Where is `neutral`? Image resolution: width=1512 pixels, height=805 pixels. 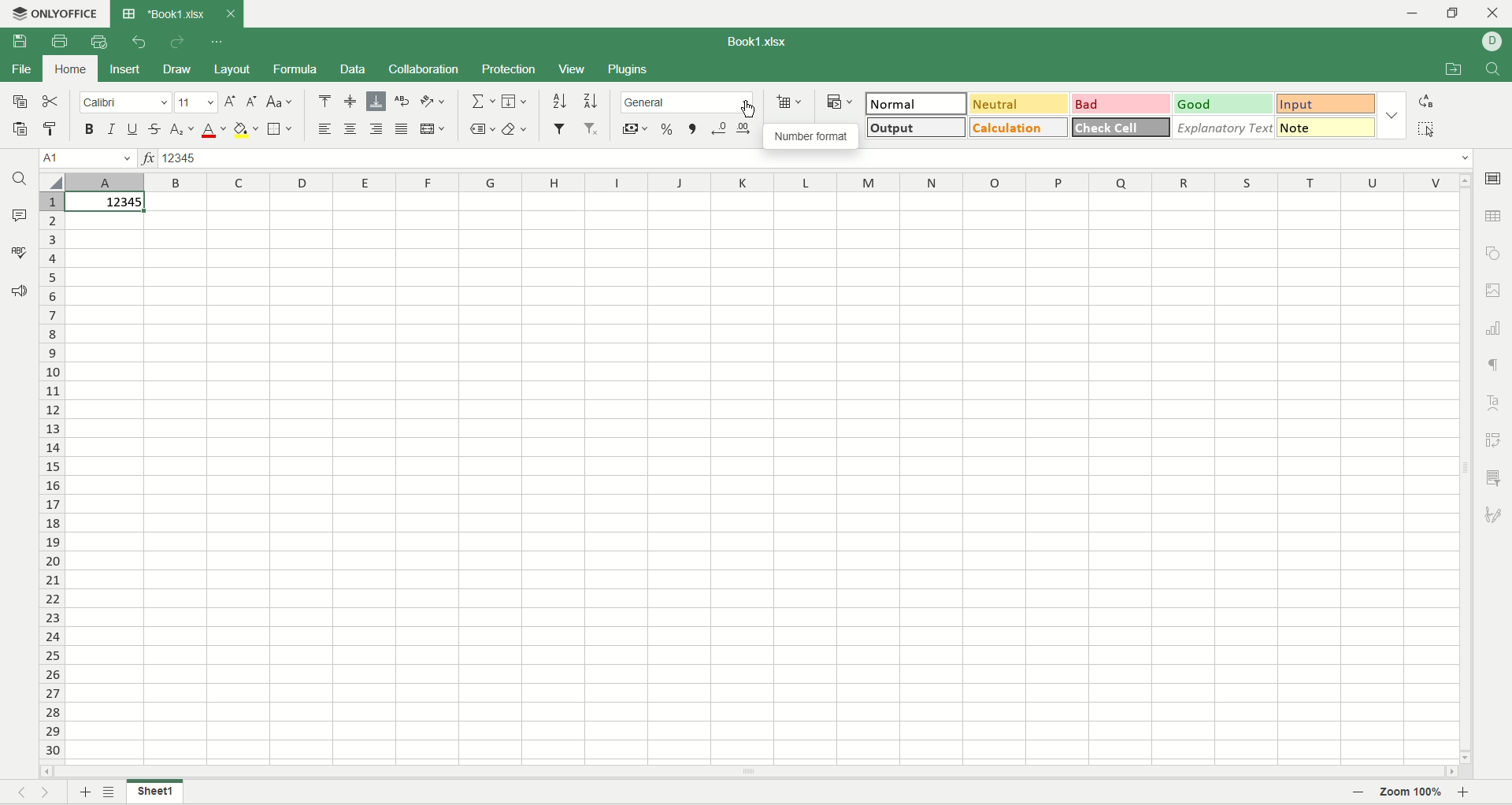 neutral is located at coordinates (1021, 105).